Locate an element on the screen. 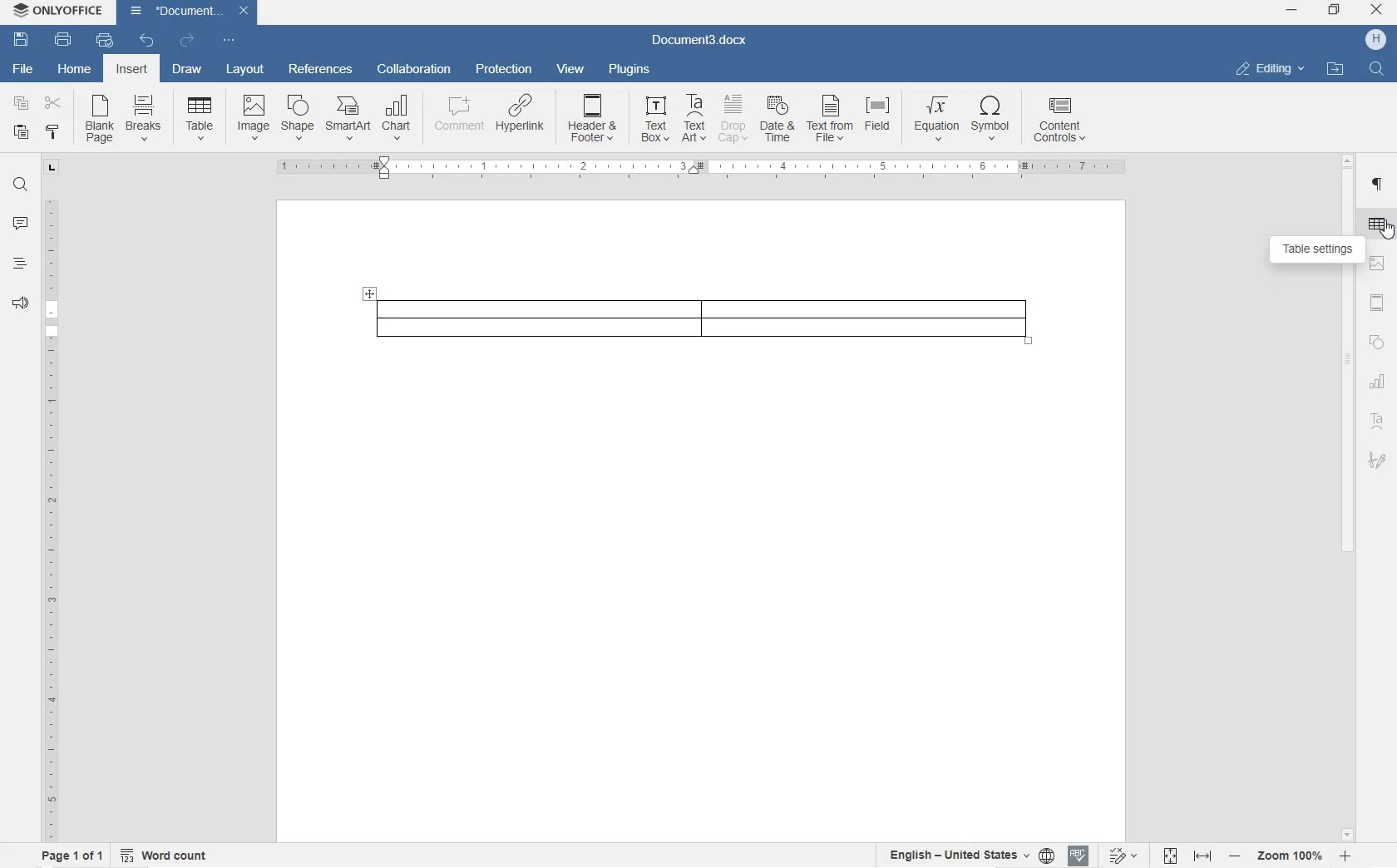  LAYOUT is located at coordinates (246, 71).